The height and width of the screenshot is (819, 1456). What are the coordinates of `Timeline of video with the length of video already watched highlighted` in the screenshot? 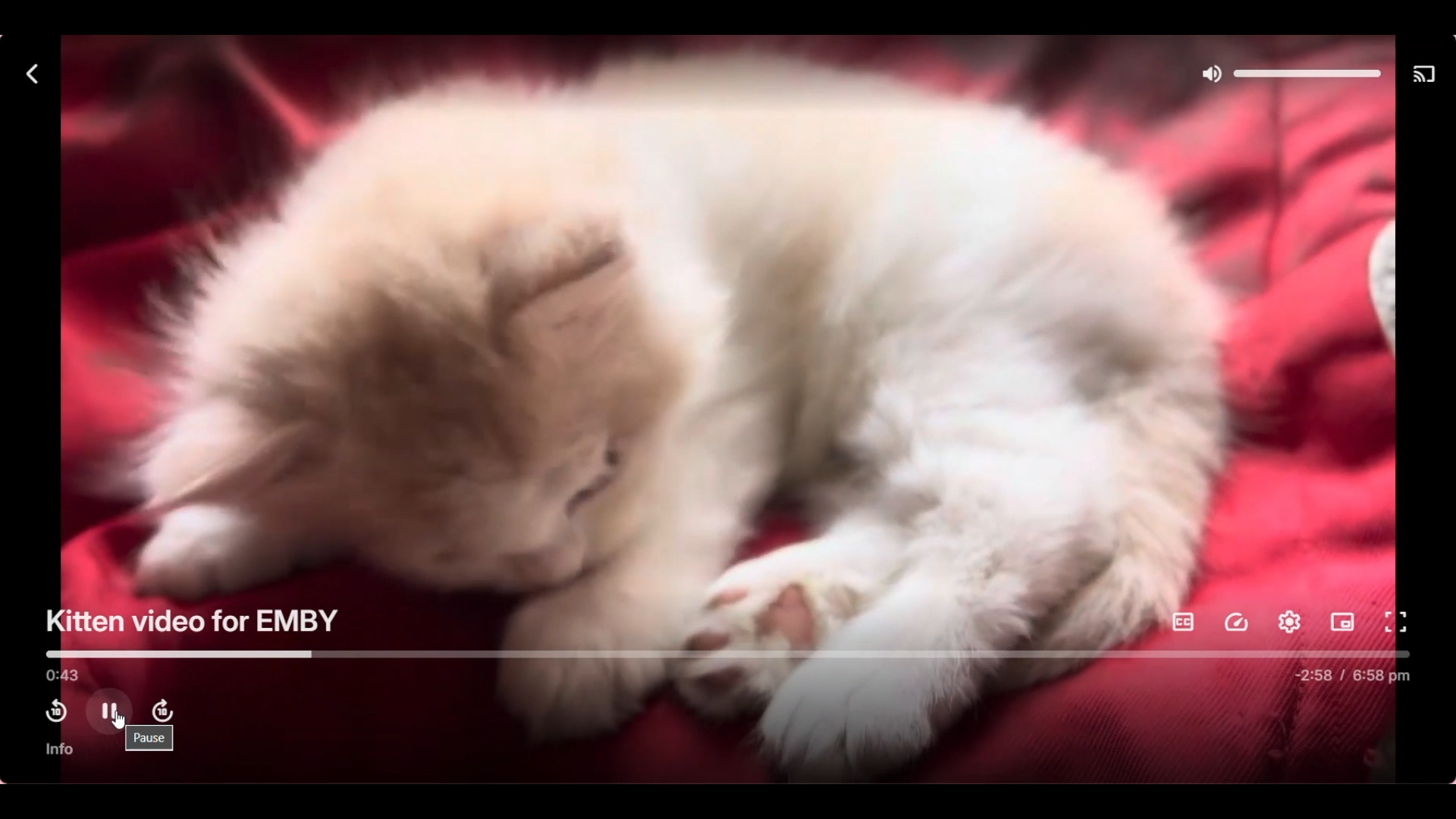 It's located at (733, 654).